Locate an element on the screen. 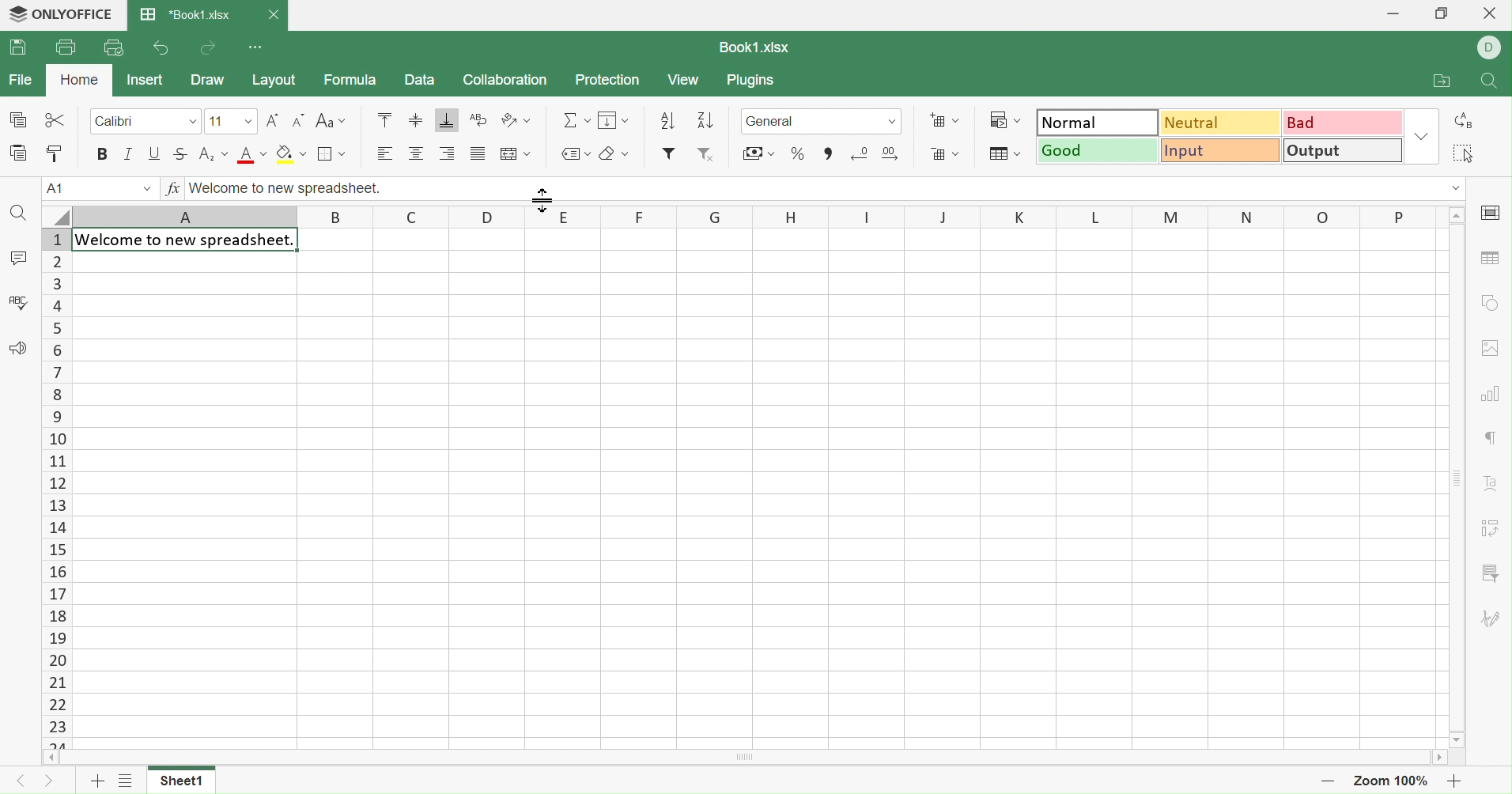 The image size is (1512, 794). Pivot Table is located at coordinates (1489, 531).